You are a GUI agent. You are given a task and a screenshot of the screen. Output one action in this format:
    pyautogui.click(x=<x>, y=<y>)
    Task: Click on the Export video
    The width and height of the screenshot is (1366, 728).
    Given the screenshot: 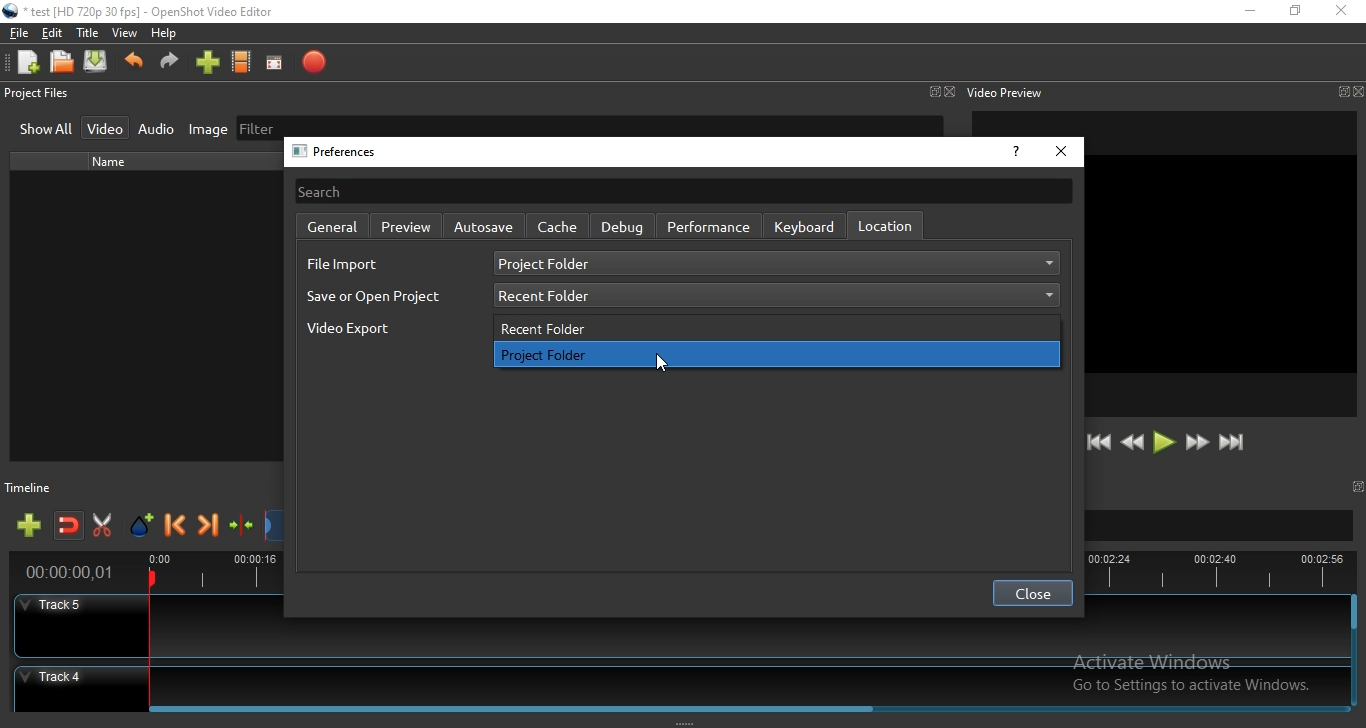 What is the action you would take?
    pyautogui.click(x=313, y=63)
    